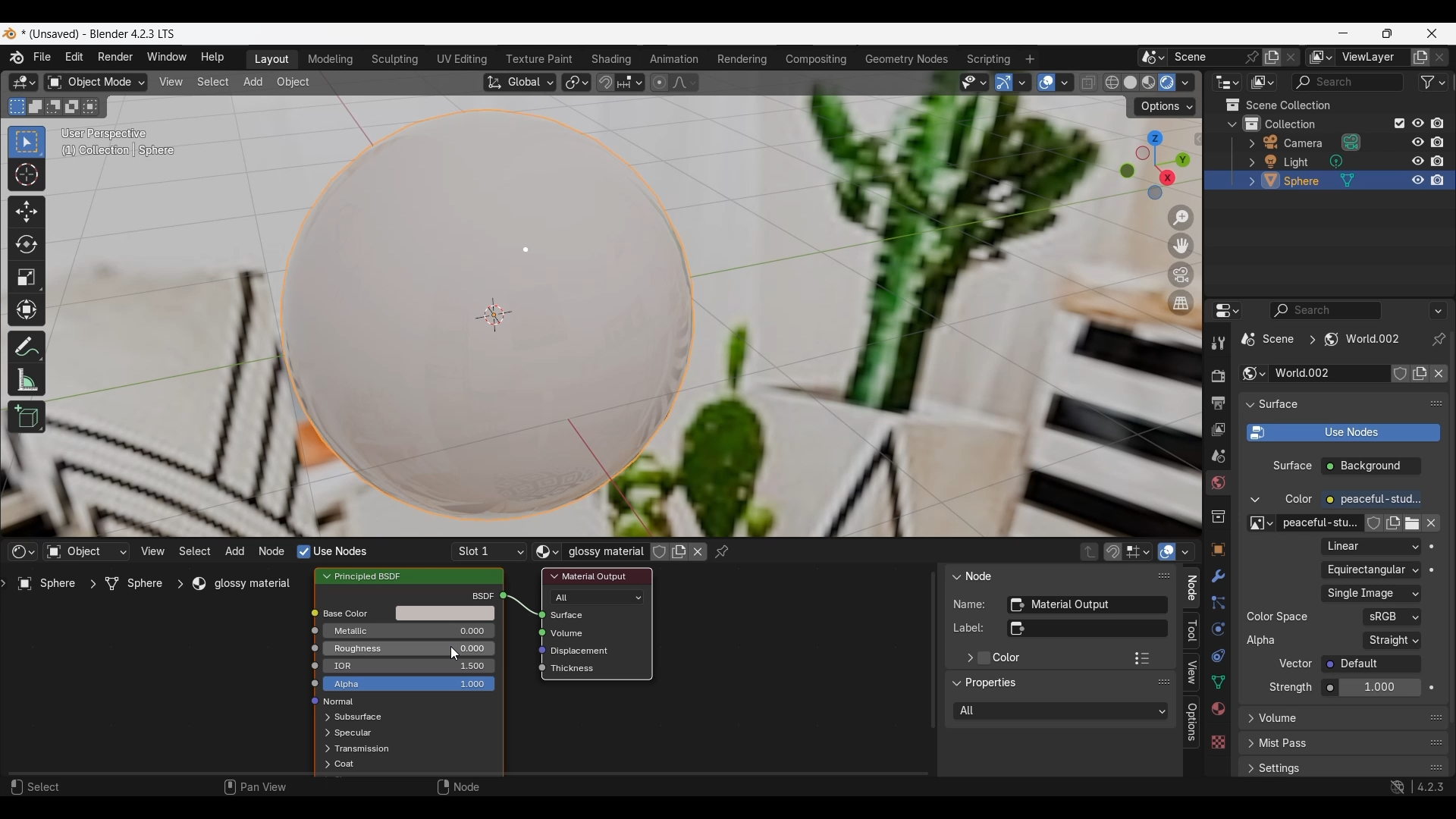 The image size is (1456, 819). What do you see at coordinates (1263, 82) in the screenshot?
I see `Display mode` at bounding box center [1263, 82].